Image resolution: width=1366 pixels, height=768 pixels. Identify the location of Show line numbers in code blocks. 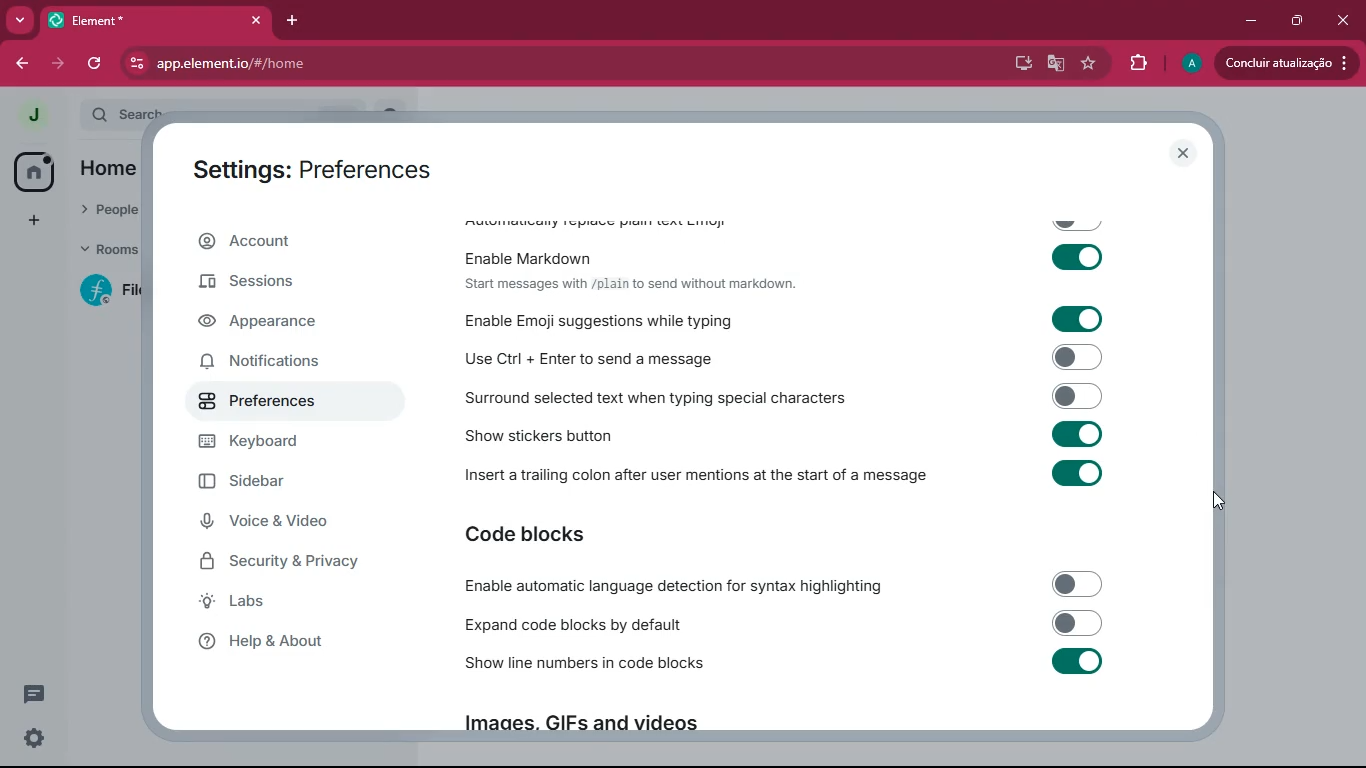
(785, 664).